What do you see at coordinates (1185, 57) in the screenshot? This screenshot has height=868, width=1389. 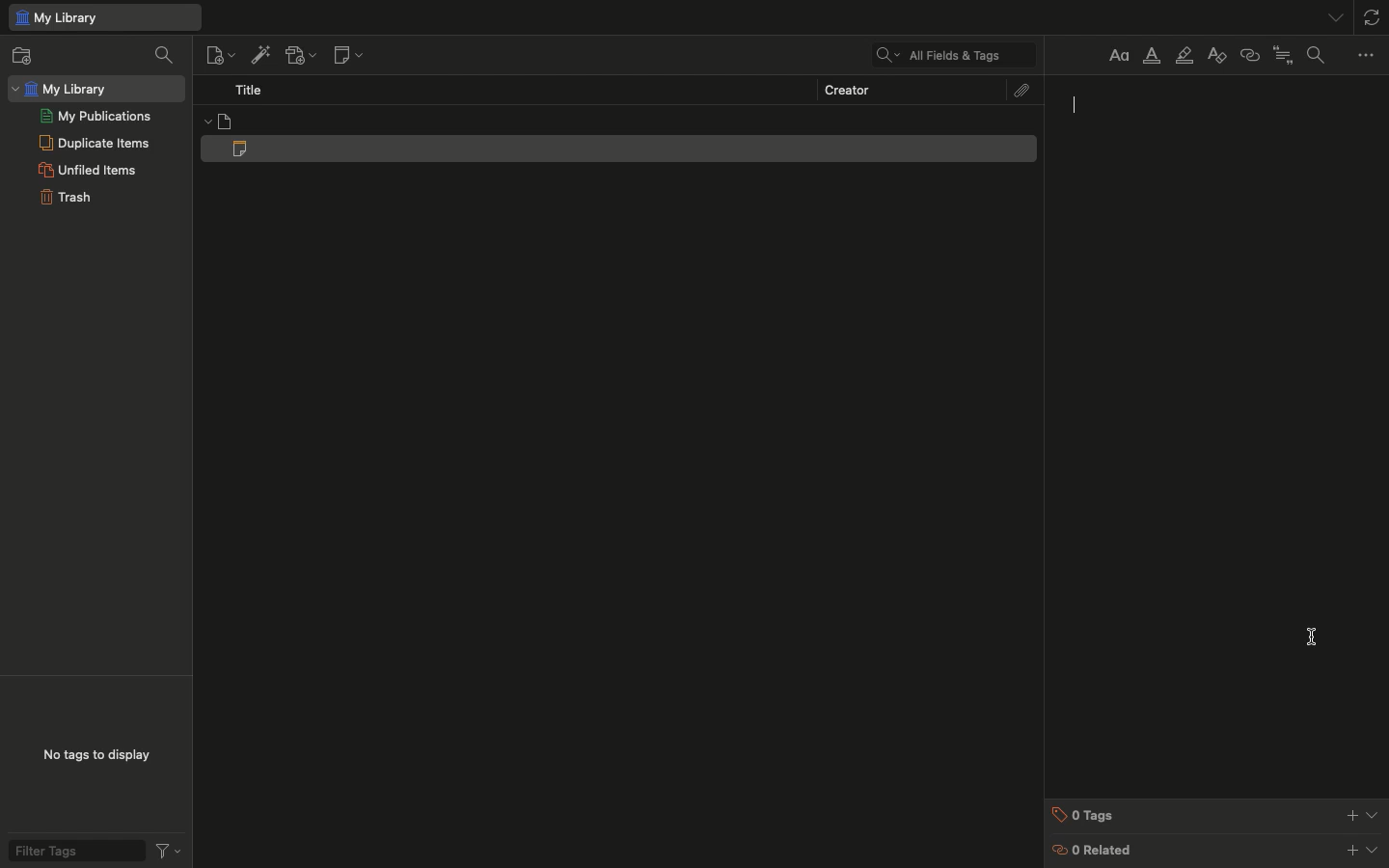 I see `Highlight text` at bounding box center [1185, 57].